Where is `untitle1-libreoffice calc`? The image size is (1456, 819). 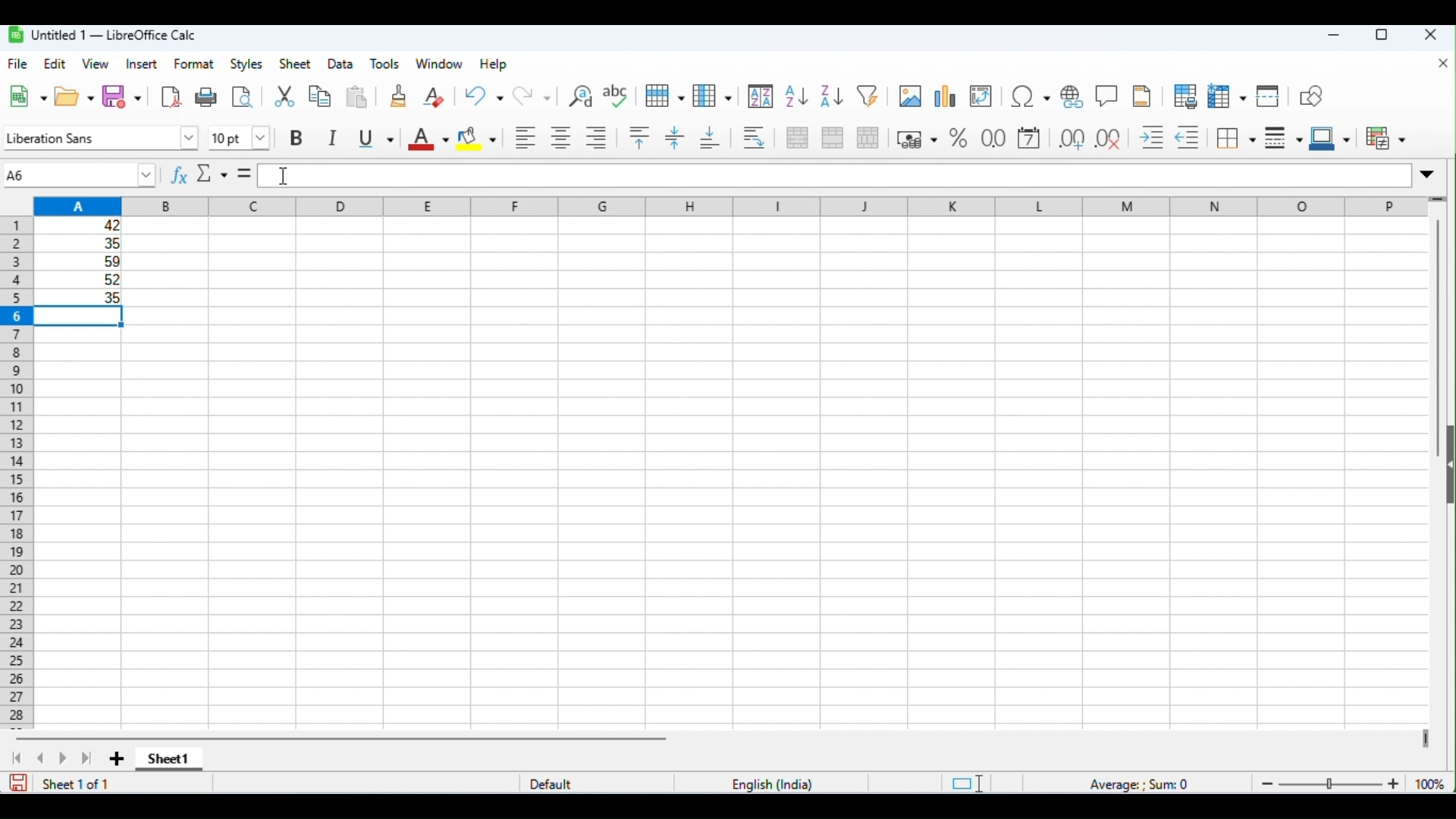 untitle1-libreoffice calc is located at coordinates (102, 35).